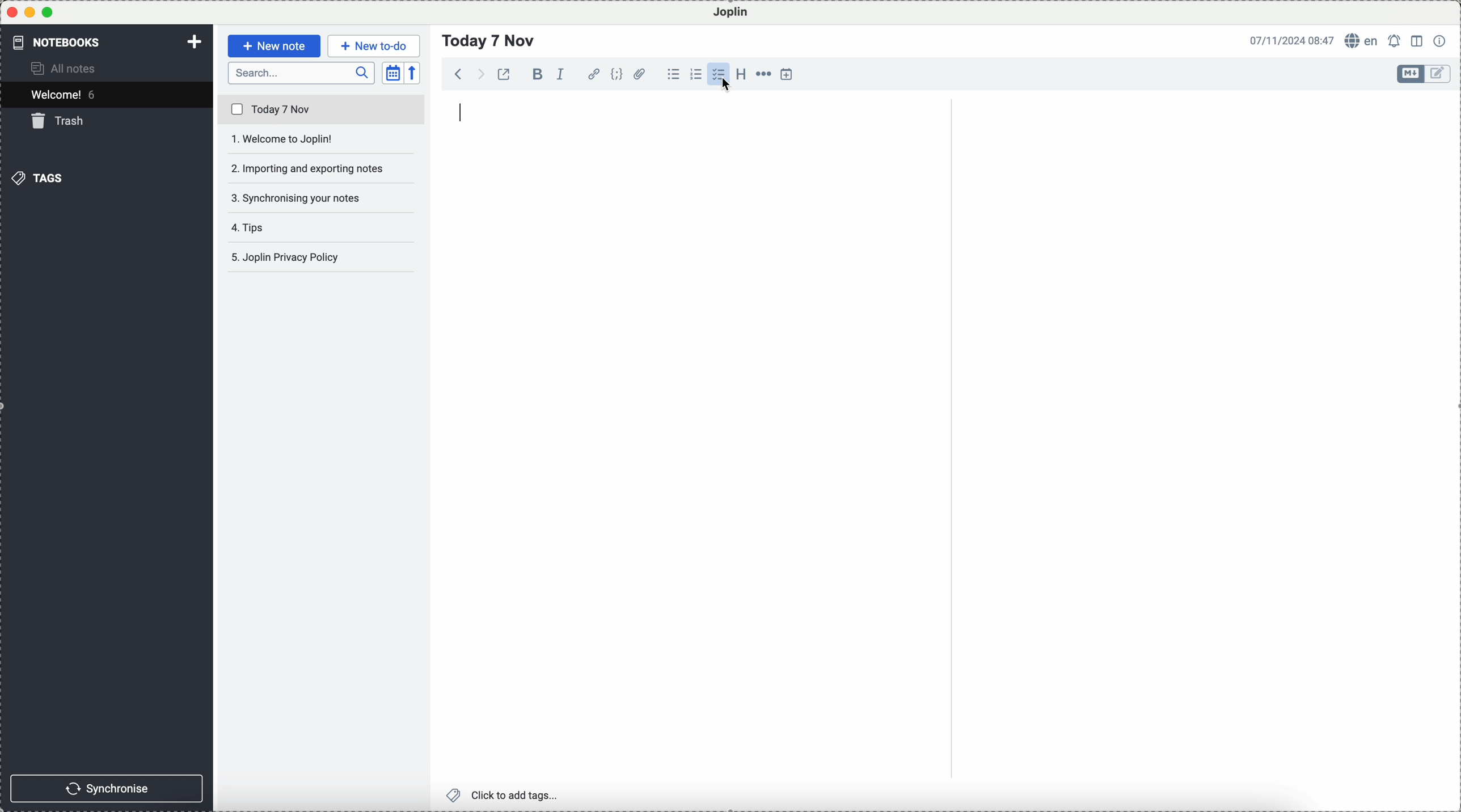 This screenshot has width=1461, height=812. What do you see at coordinates (67, 94) in the screenshot?
I see `welcome! 6` at bounding box center [67, 94].